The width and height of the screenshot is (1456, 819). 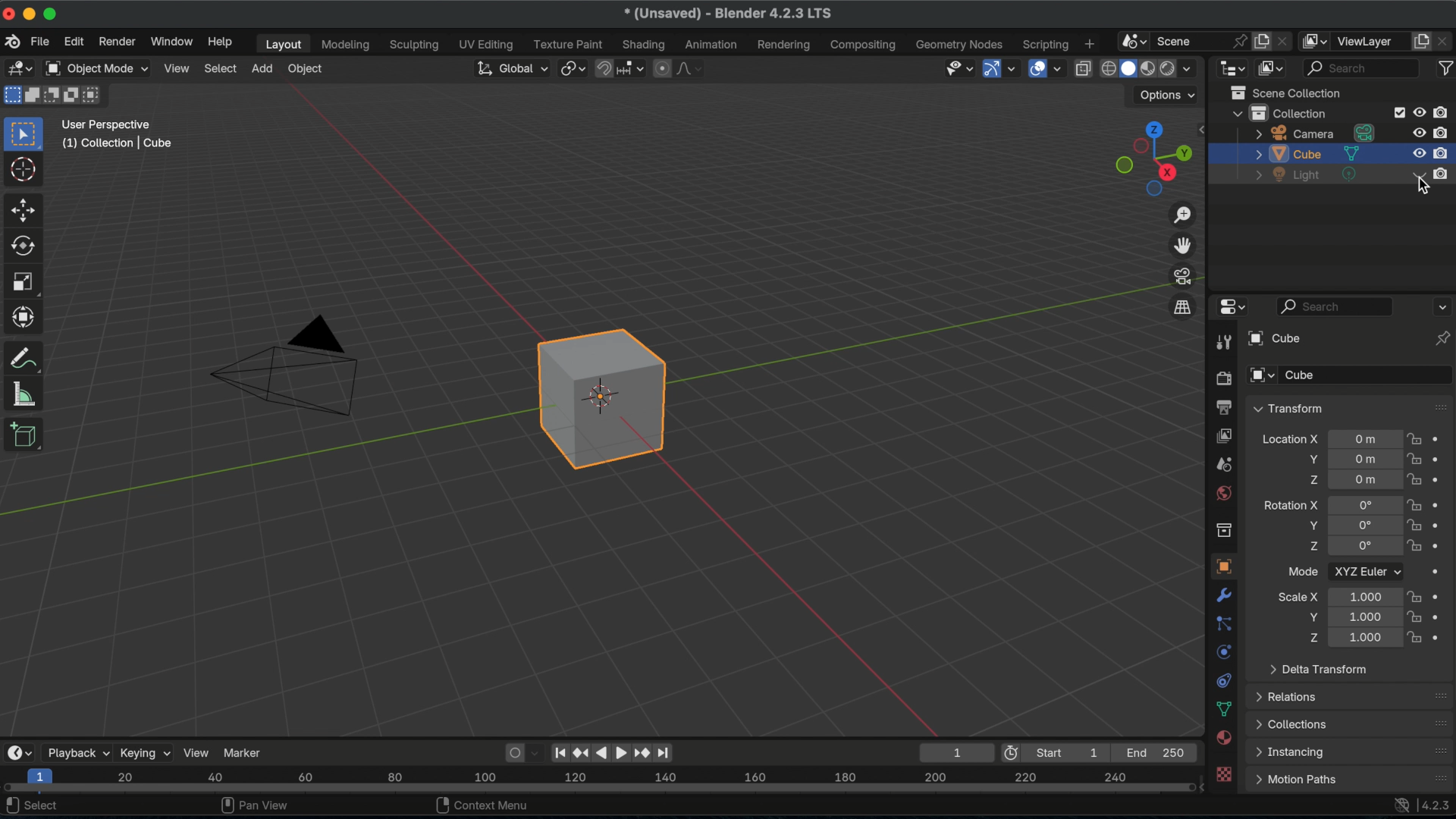 What do you see at coordinates (1415, 479) in the screenshot?
I see `lock location` at bounding box center [1415, 479].